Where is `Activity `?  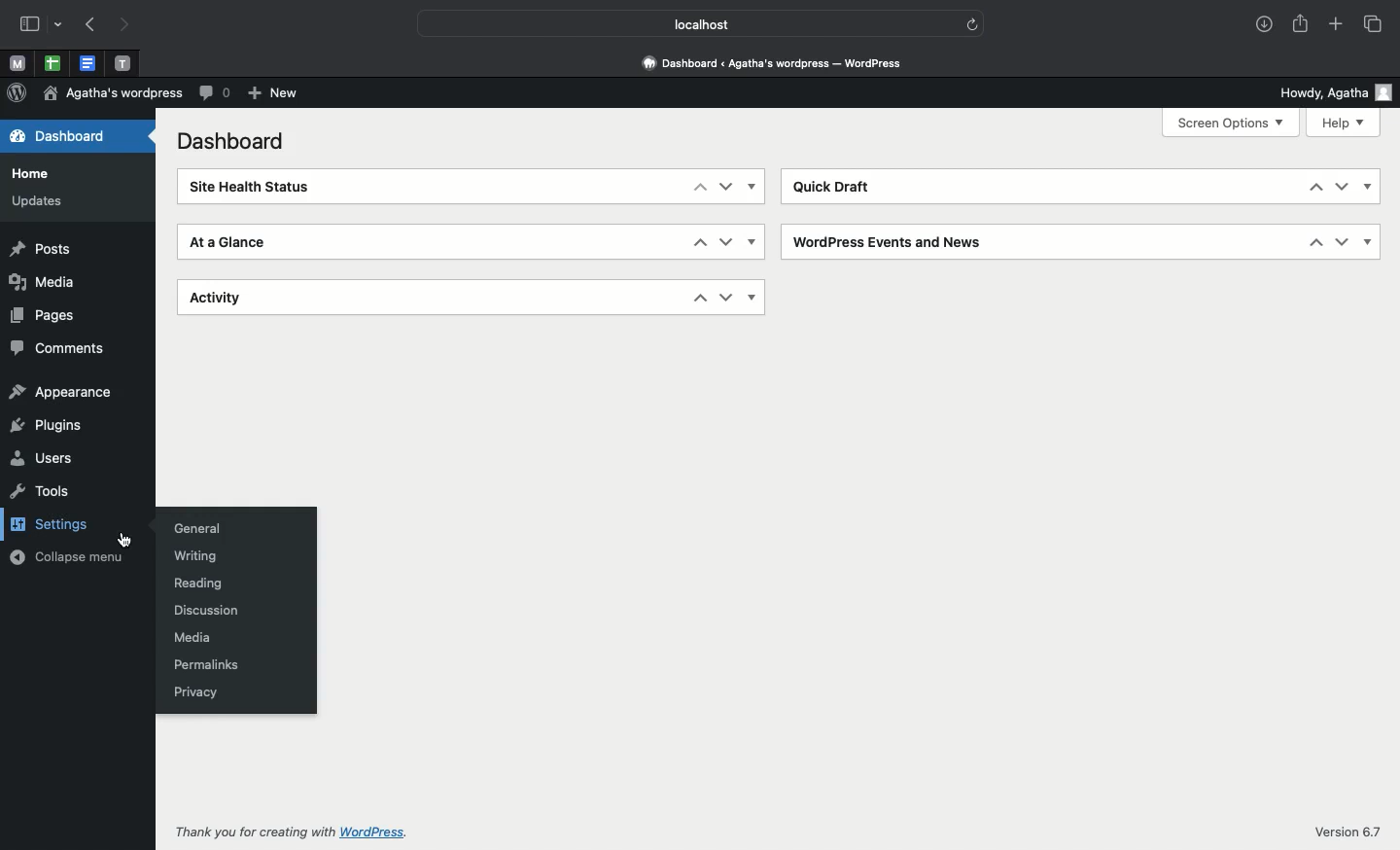 Activity  is located at coordinates (212, 299).